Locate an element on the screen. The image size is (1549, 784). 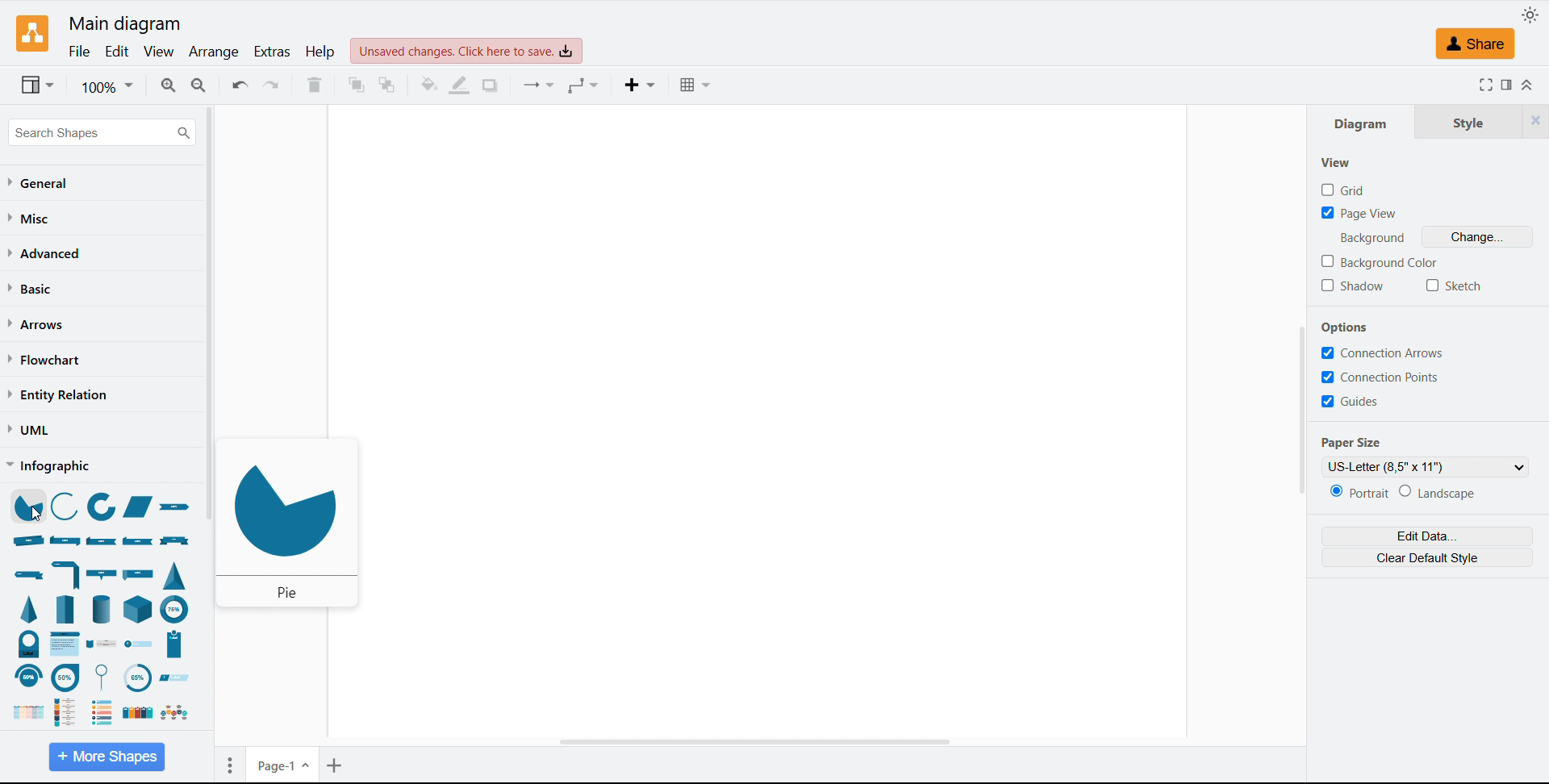
pyramid step is located at coordinates (66, 608).